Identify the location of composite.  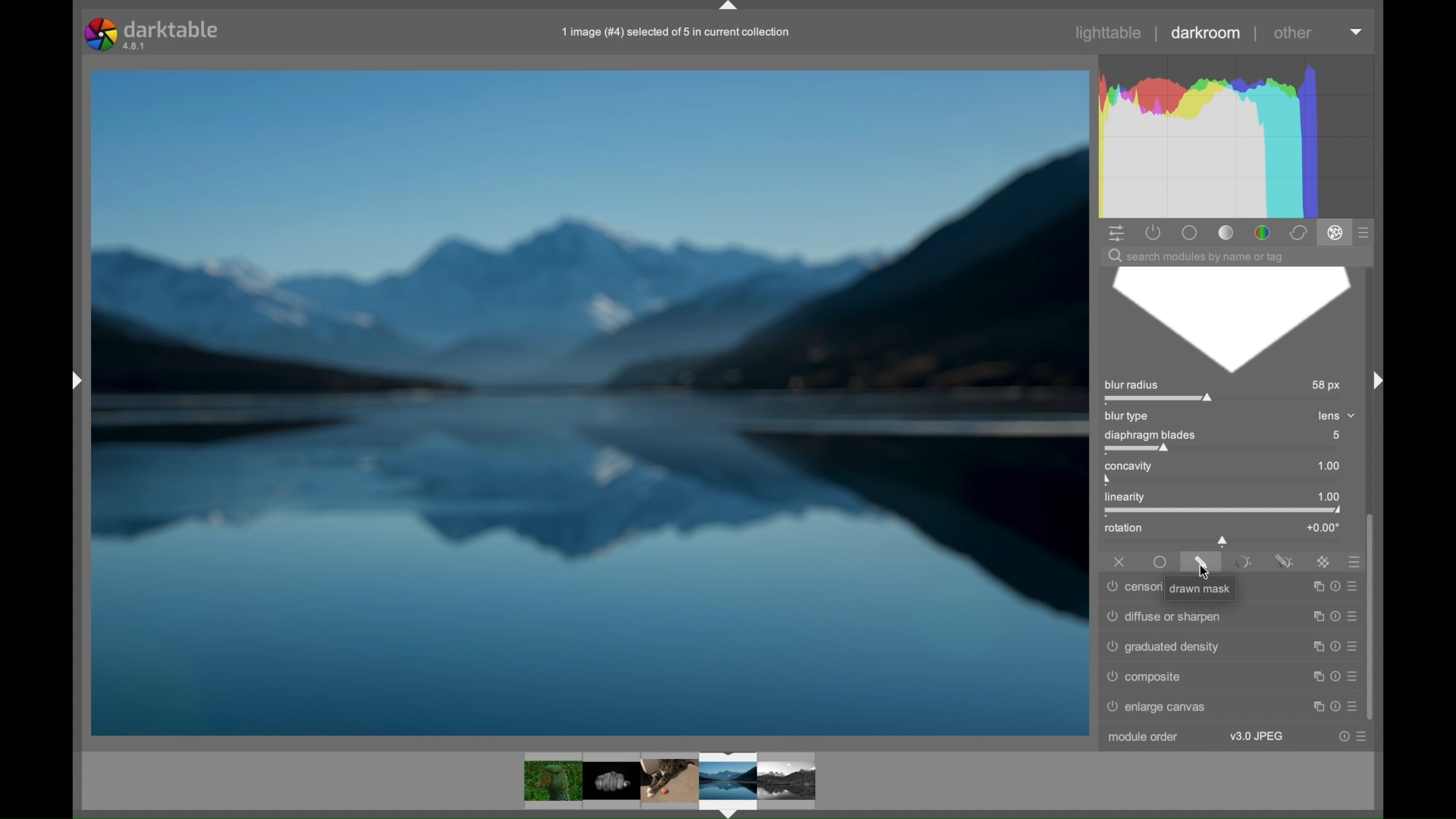
(1145, 677).